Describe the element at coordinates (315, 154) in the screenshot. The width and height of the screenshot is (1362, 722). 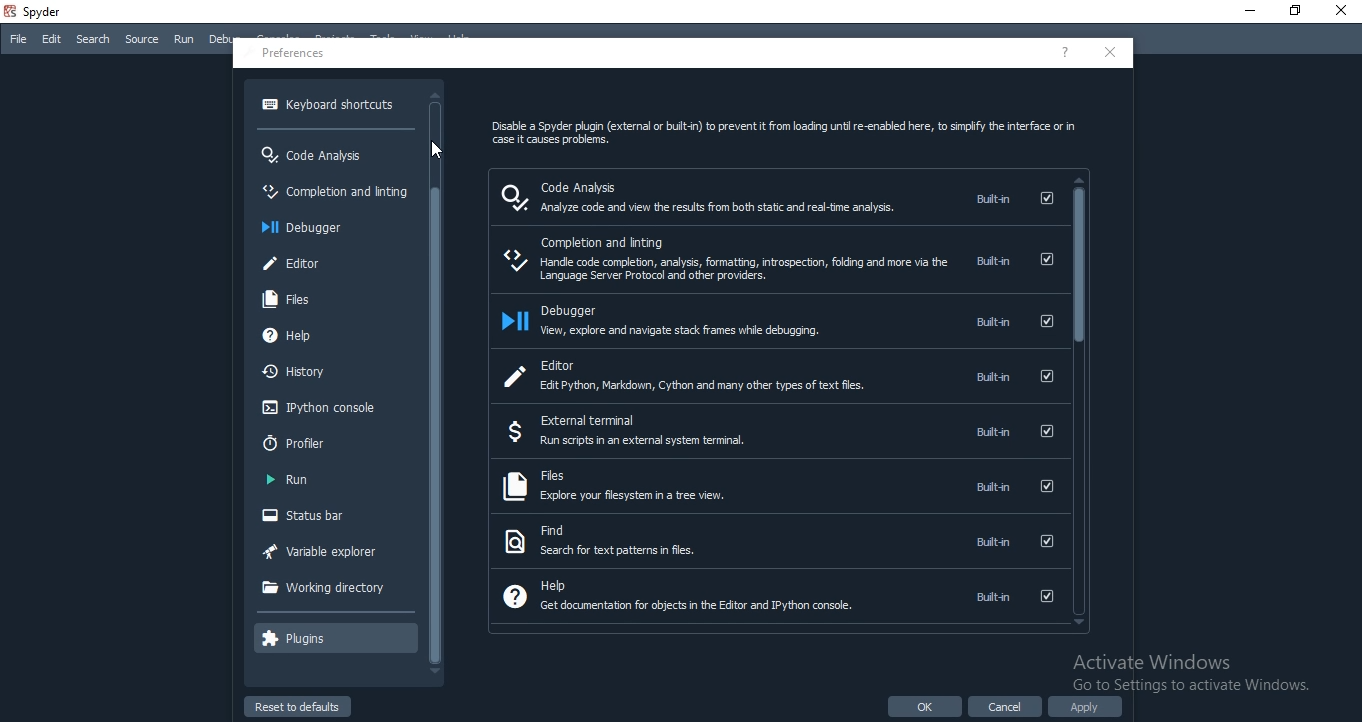
I see `Code Analysis` at that location.